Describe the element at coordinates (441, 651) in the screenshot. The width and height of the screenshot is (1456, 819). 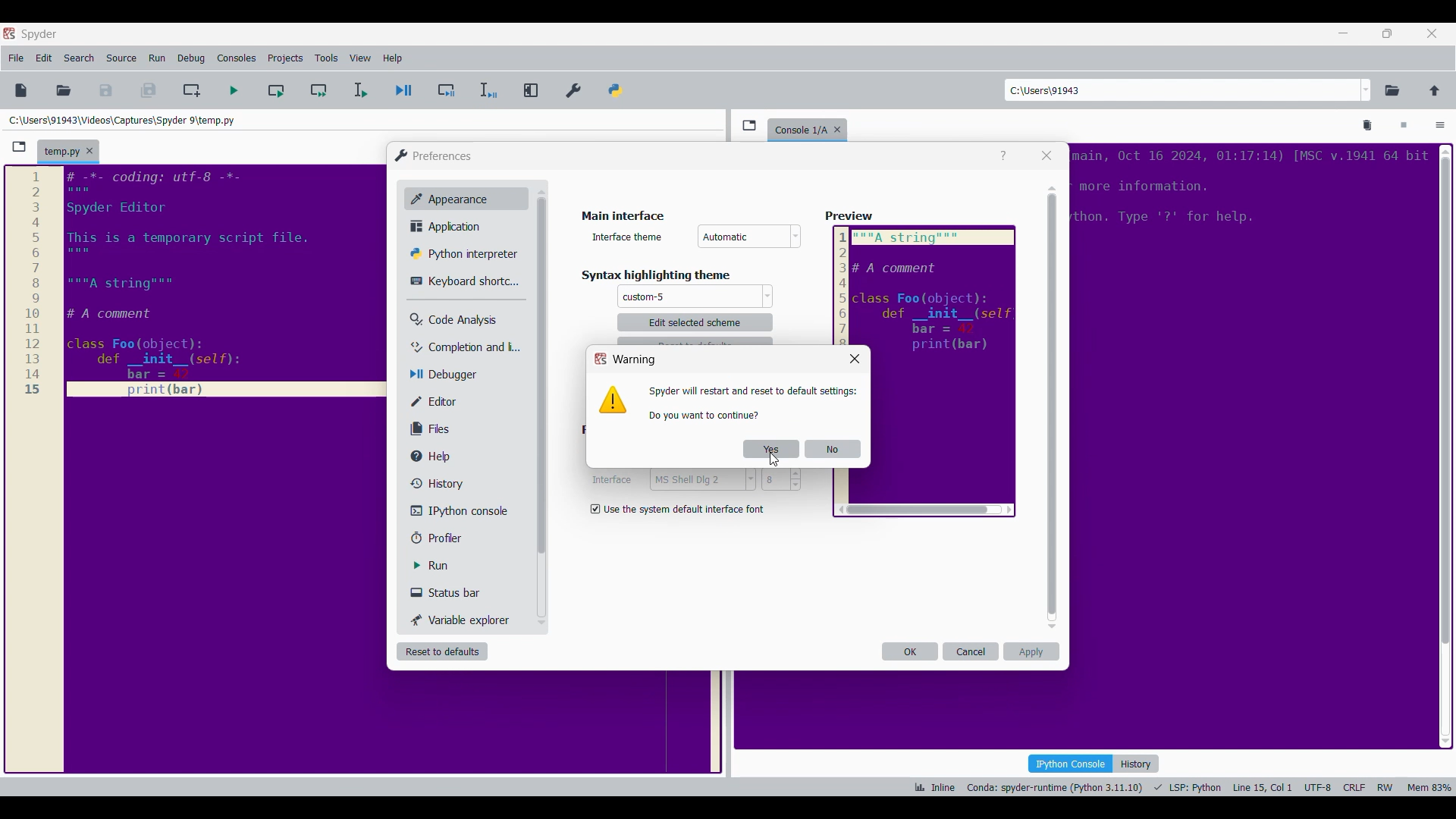
I see `Reset to defaults` at that location.